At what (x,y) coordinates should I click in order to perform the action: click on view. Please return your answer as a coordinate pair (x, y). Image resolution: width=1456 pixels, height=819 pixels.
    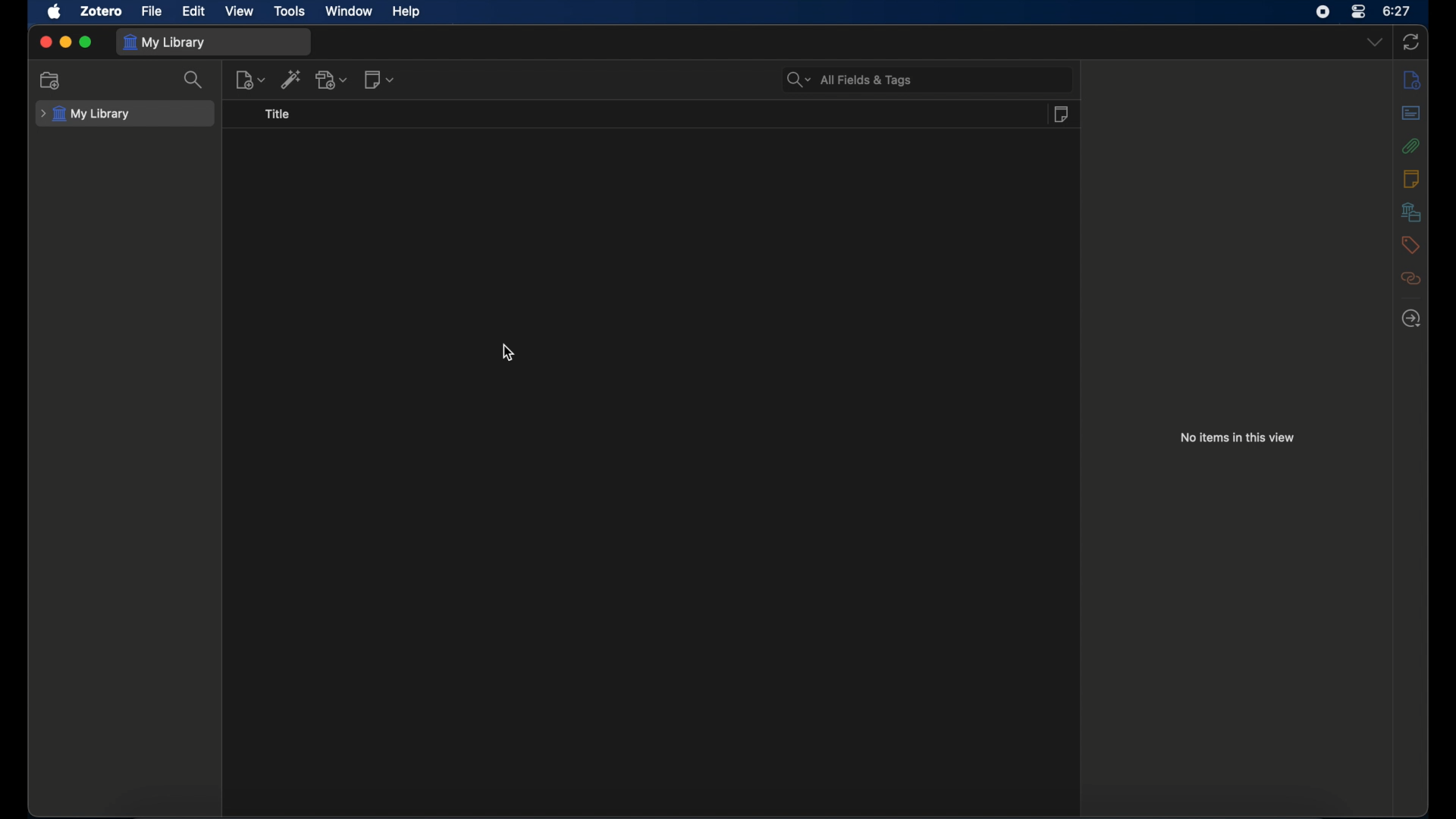
    Looking at the image, I should click on (240, 10).